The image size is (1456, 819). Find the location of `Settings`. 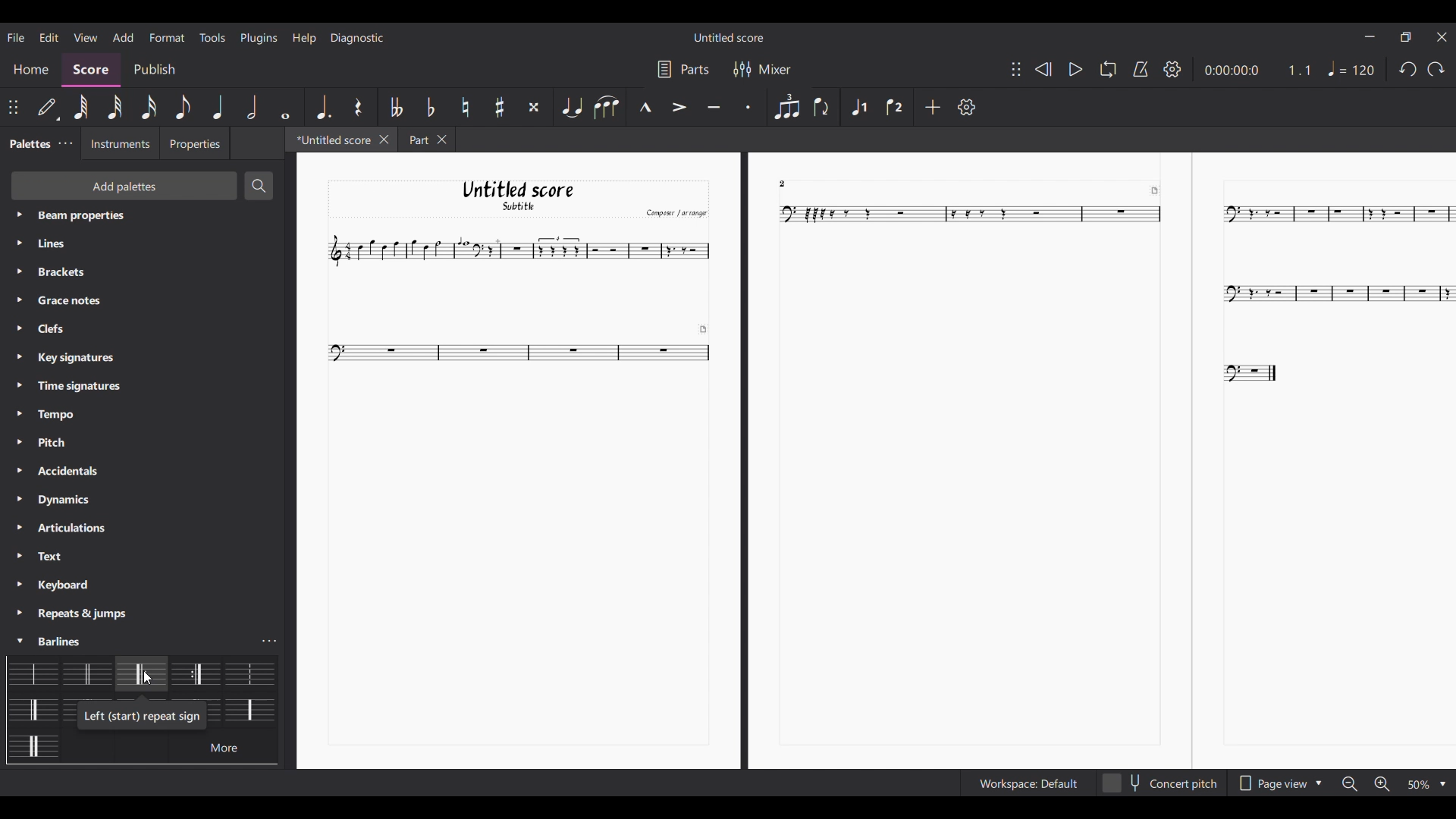

Settings is located at coordinates (967, 107).